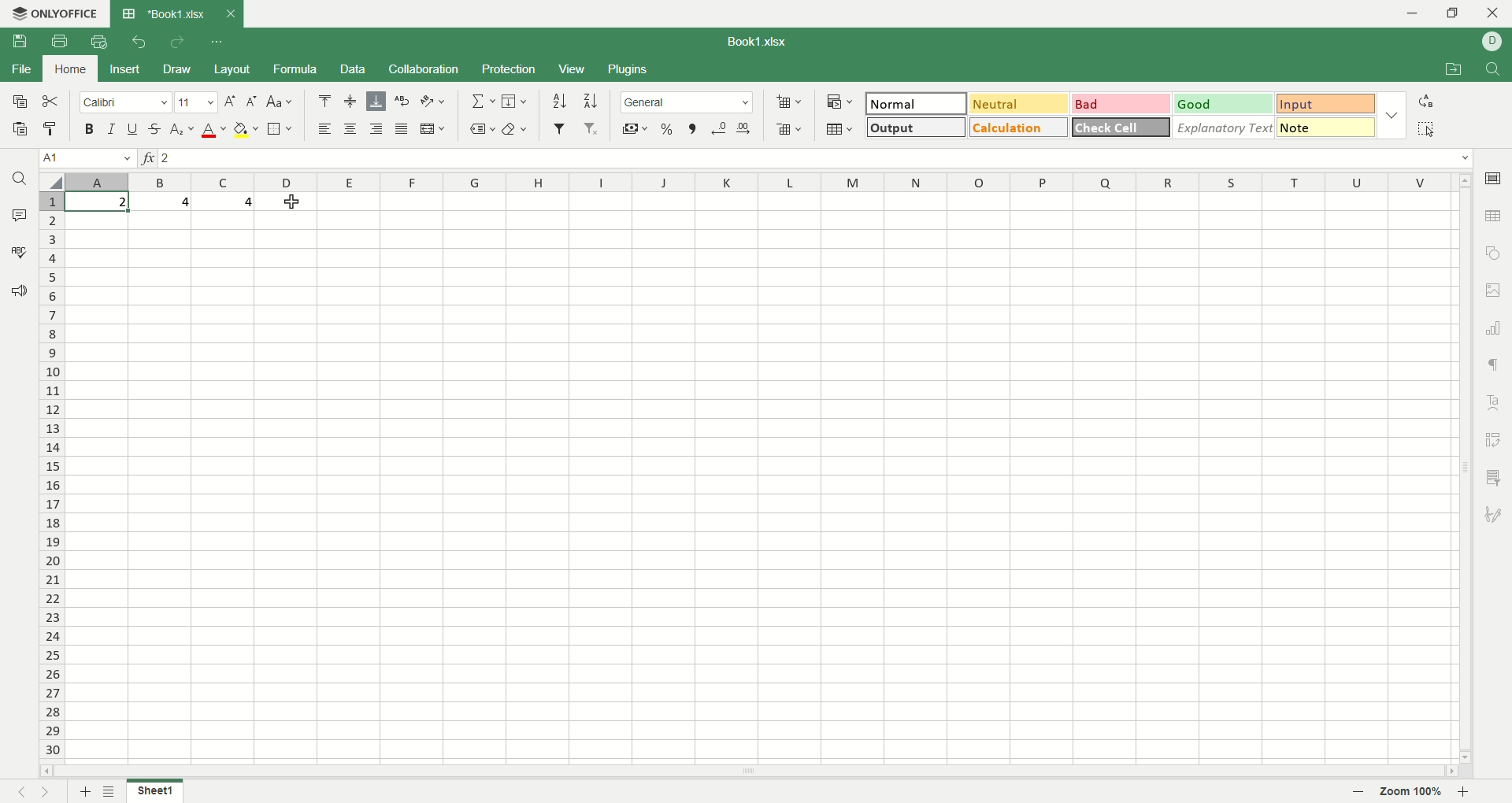 The height and width of the screenshot is (803, 1512). Describe the element at coordinates (1021, 103) in the screenshot. I see `neutral` at that location.